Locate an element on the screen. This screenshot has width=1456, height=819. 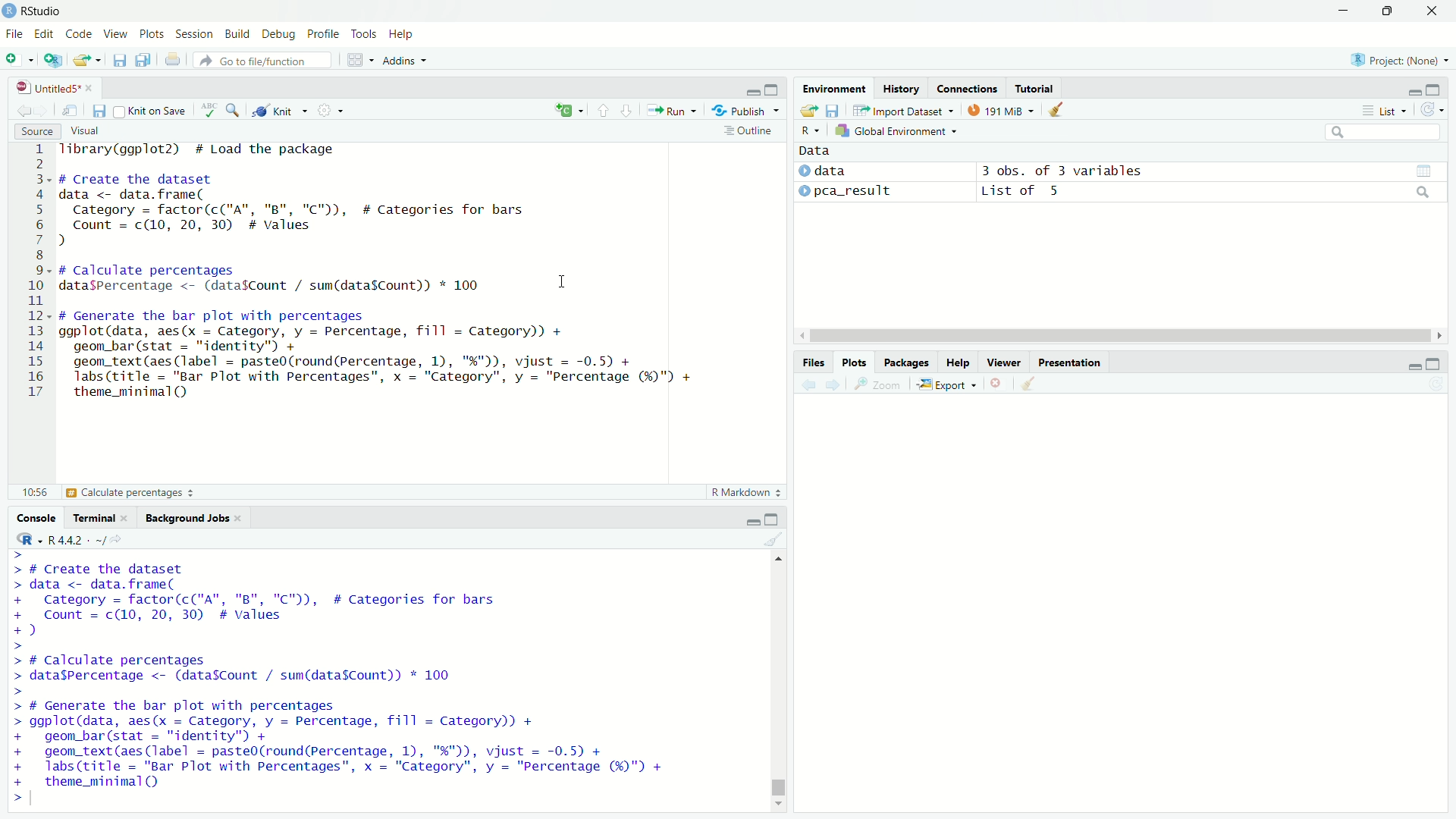
new file is located at coordinates (19, 61).